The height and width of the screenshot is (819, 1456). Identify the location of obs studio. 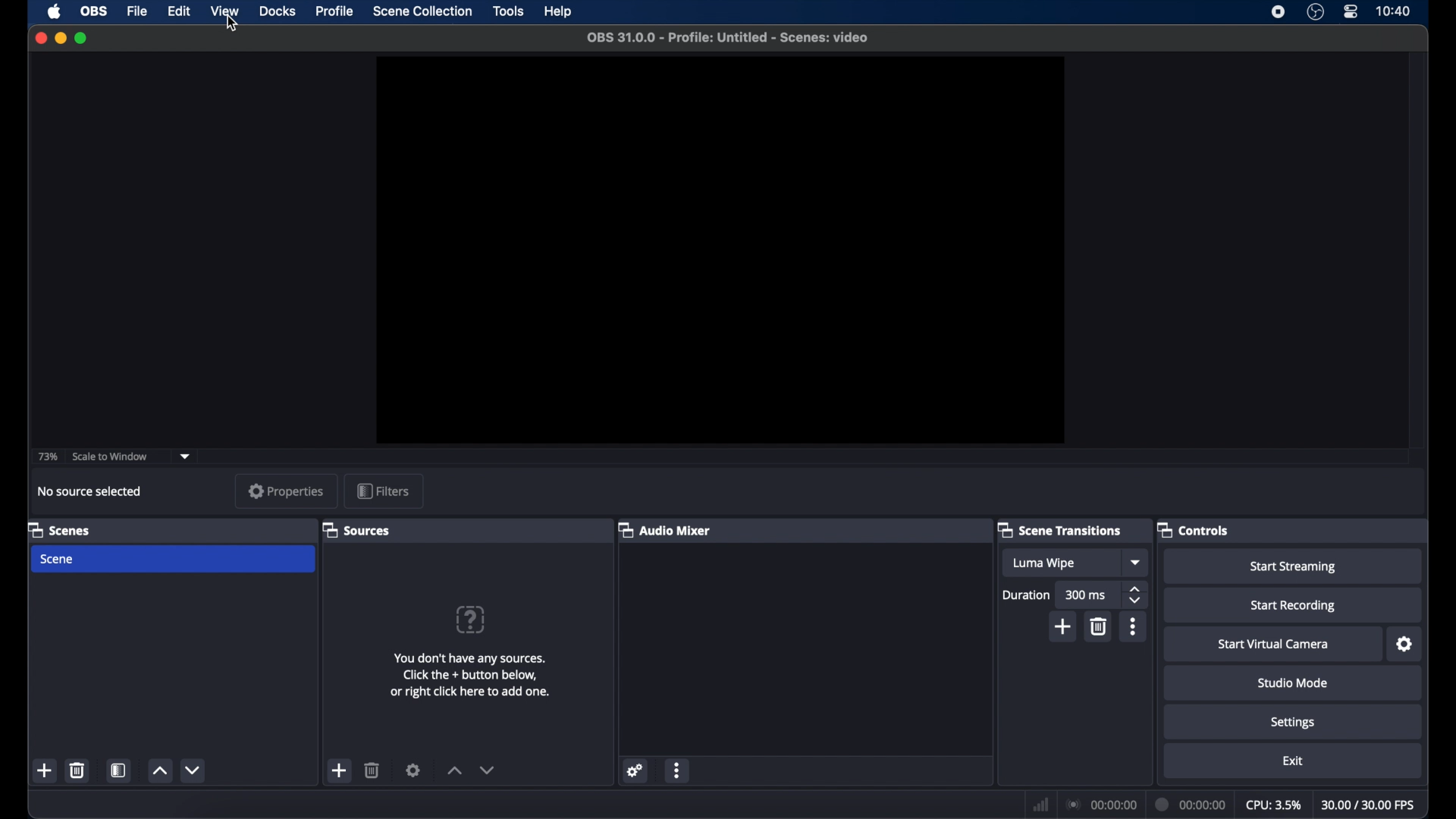
(1316, 14).